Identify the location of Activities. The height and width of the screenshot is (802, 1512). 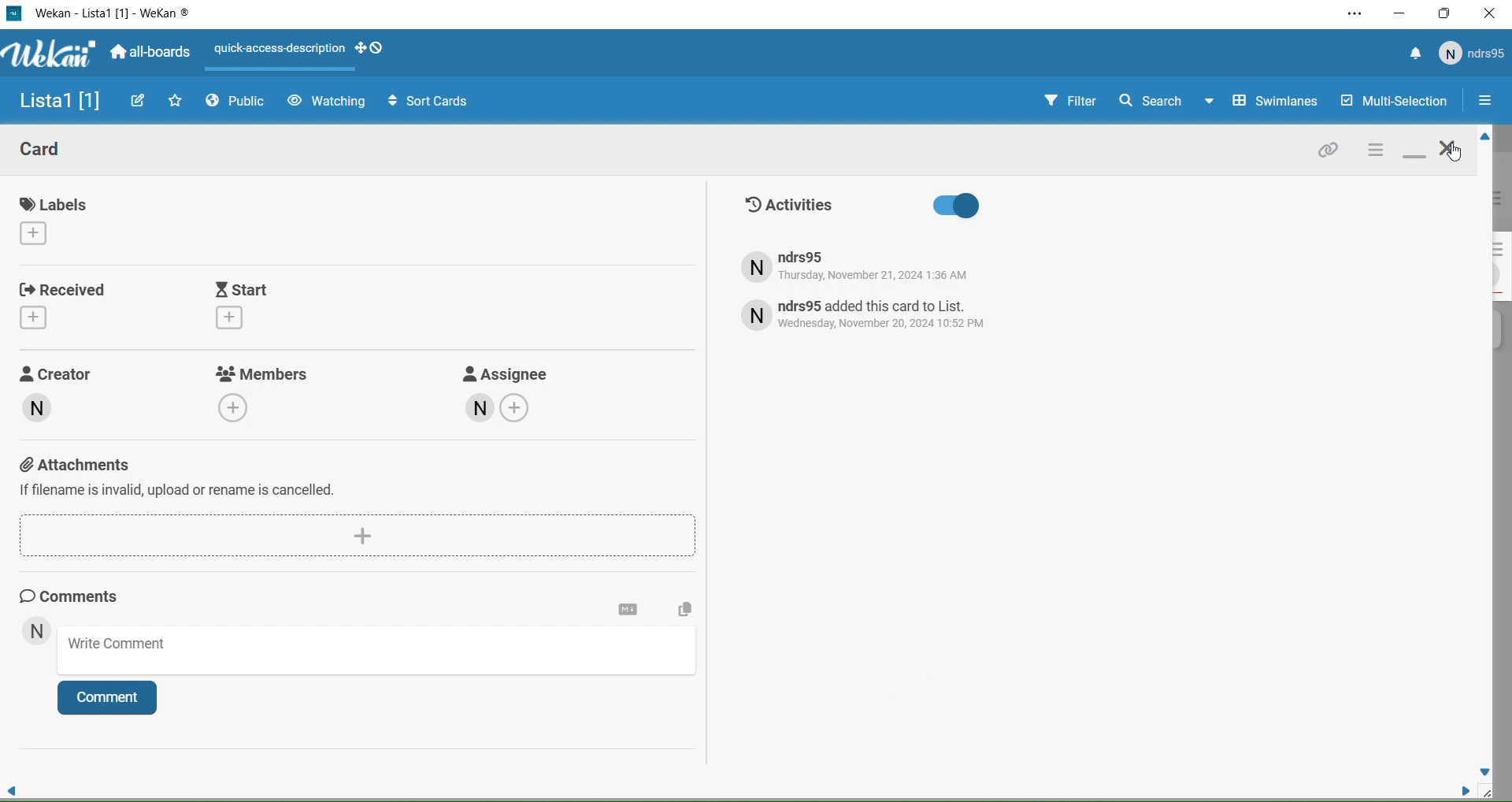
(917, 206).